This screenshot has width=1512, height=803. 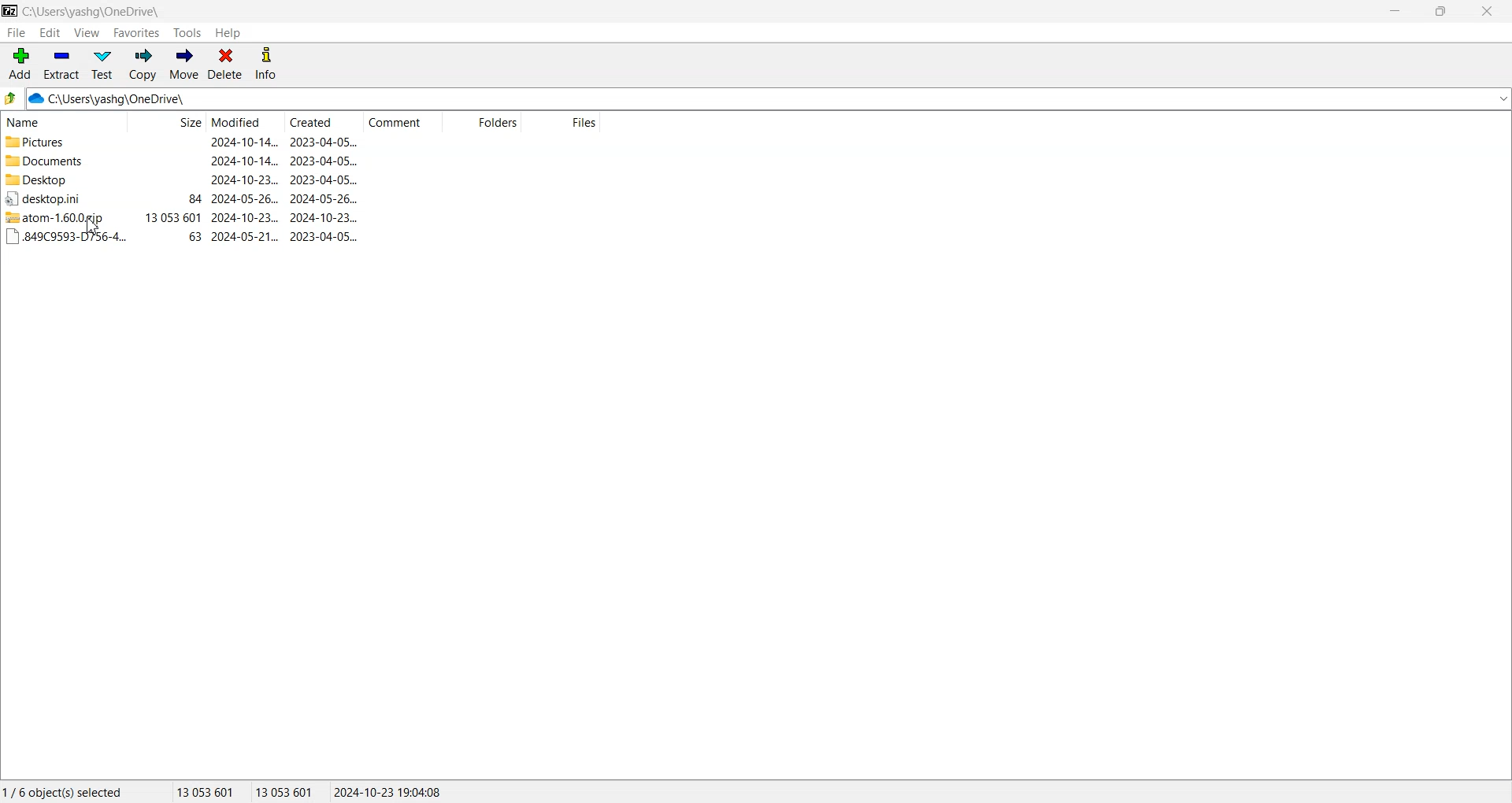 What do you see at coordinates (481, 123) in the screenshot?
I see `Folders` at bounding box center [481, 123].